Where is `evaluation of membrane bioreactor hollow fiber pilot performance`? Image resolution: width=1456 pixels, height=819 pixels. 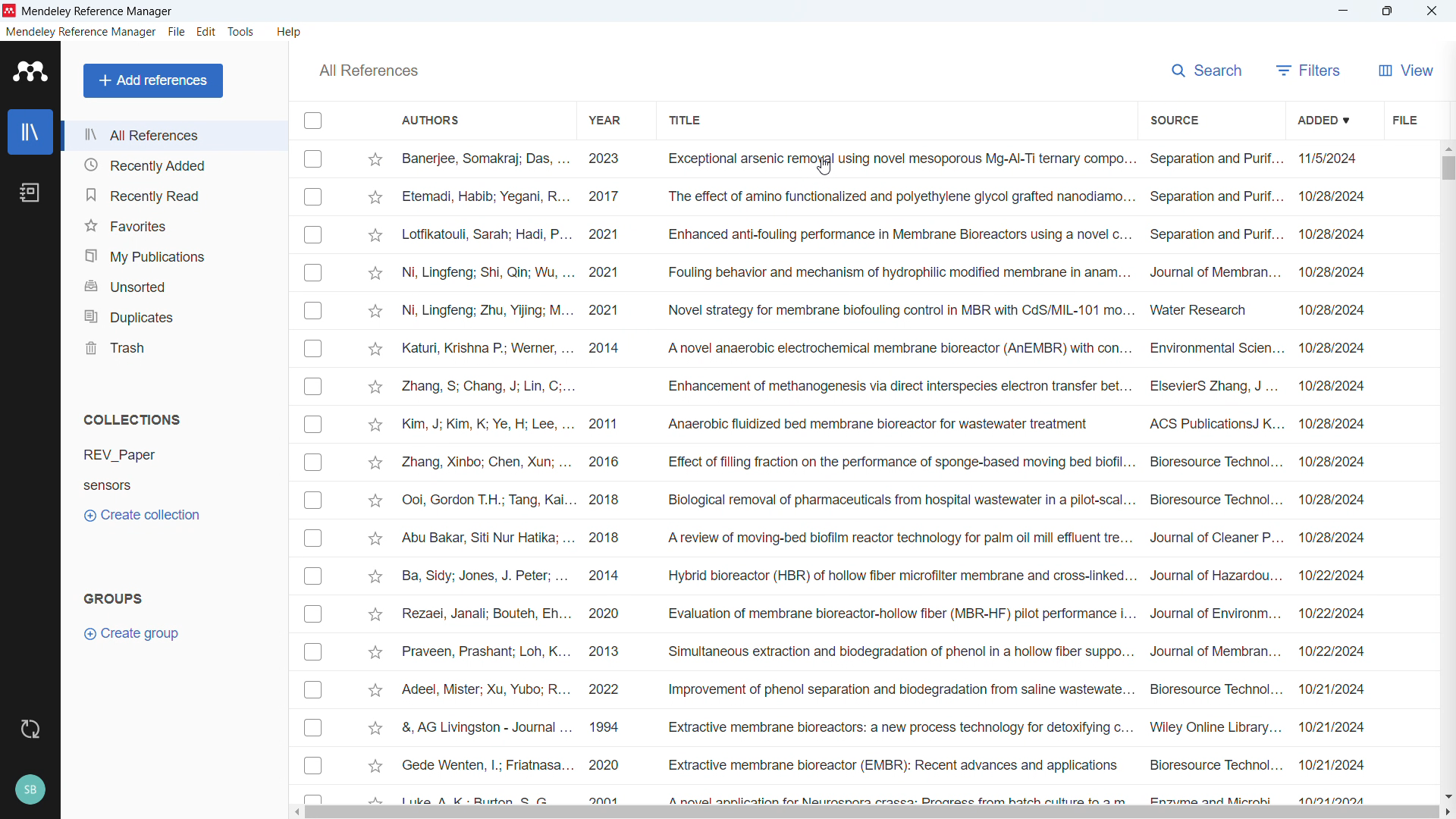 evaluation of membrane bioreactor hollow fiber pilot performance is located at coordinates (899, 614).